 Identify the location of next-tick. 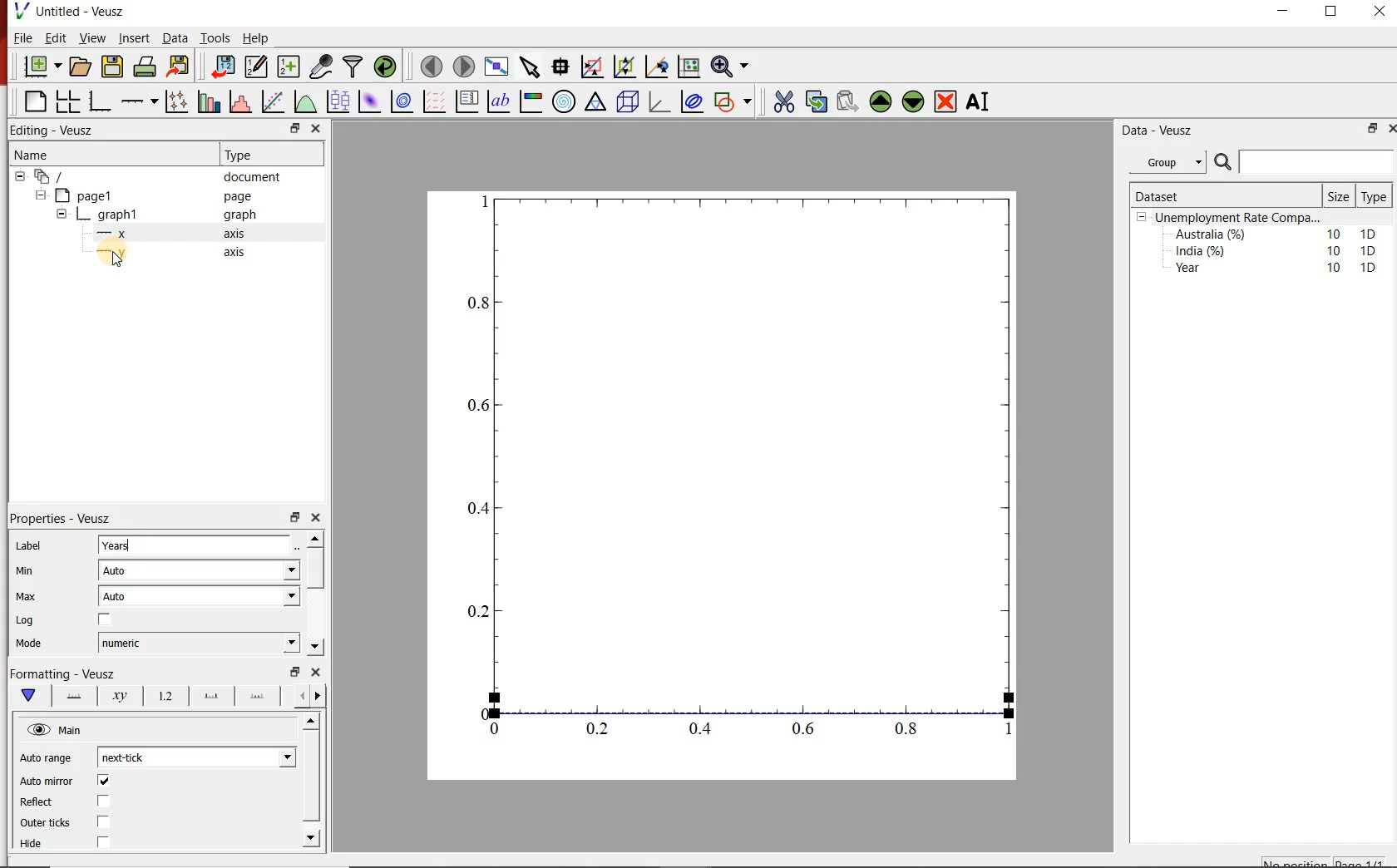
(198, 755).